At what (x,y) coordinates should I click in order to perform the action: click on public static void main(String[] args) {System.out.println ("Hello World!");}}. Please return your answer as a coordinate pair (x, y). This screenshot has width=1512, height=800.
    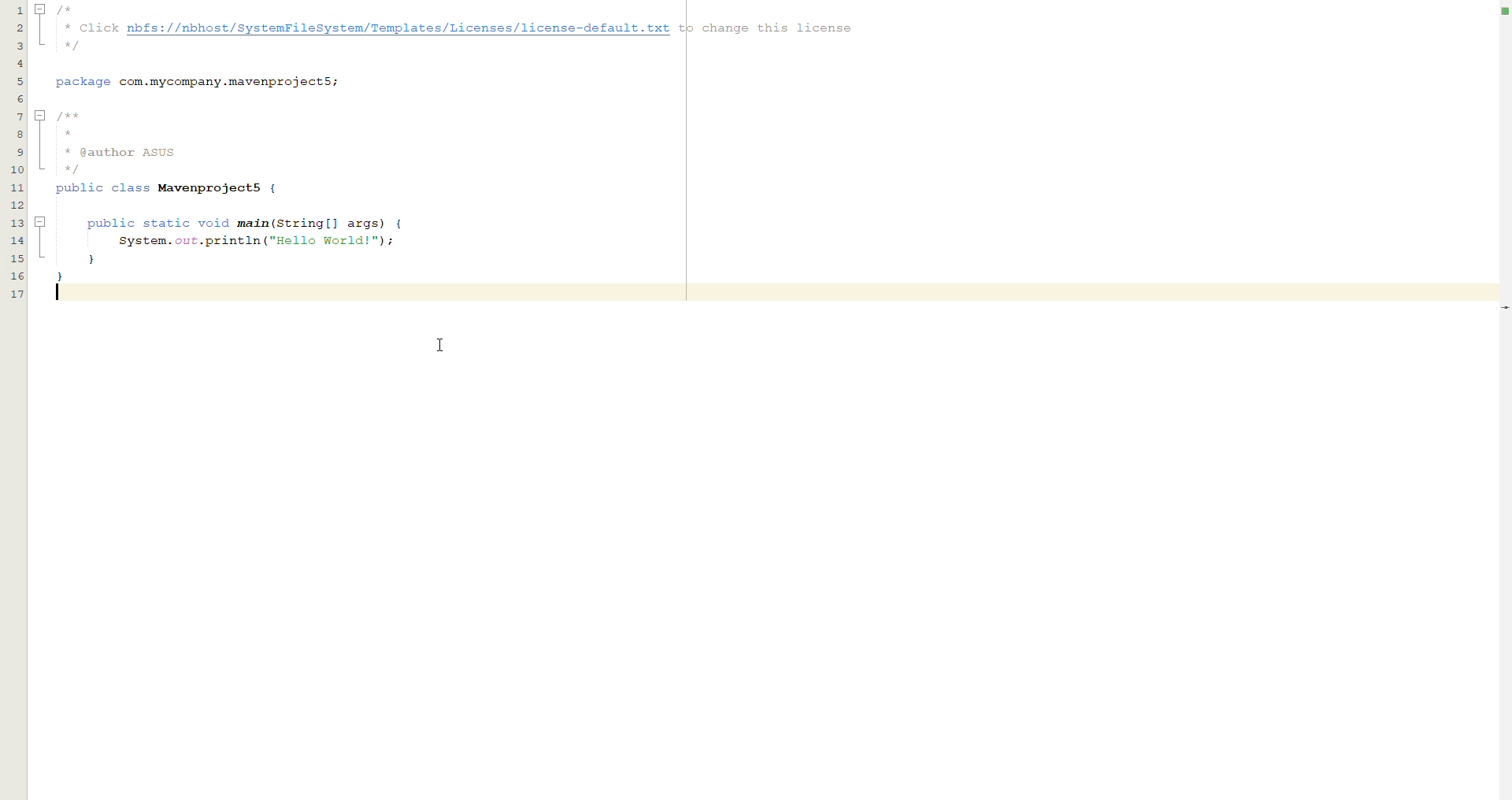
    Looking at the image, I should click on (240, 242).